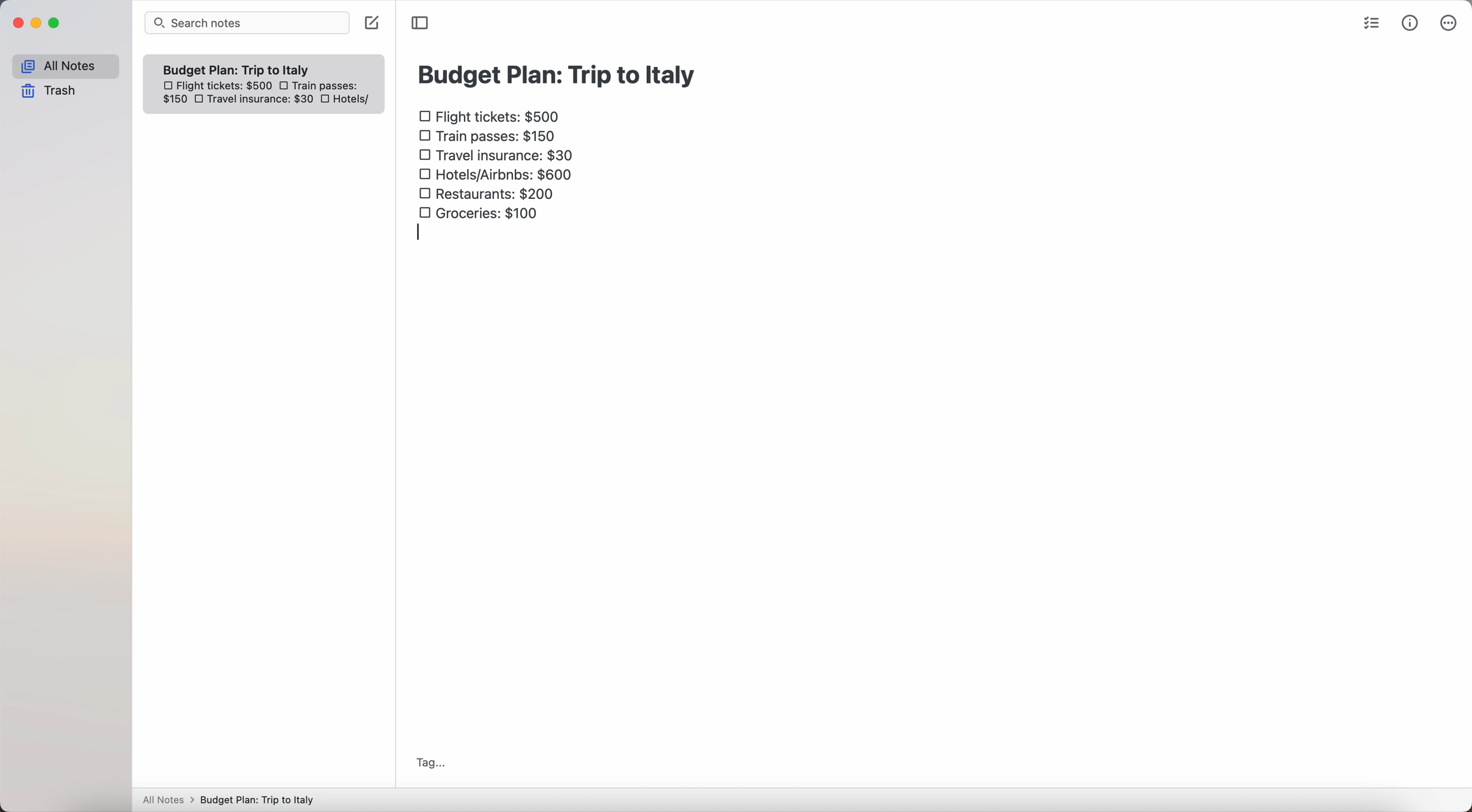 This screenshot has width=1472, height=812. What do you see at coordinates (473, 214) in the screenshot?
I see `groceries: $100 checkbox` at bounding box center [473, 214].